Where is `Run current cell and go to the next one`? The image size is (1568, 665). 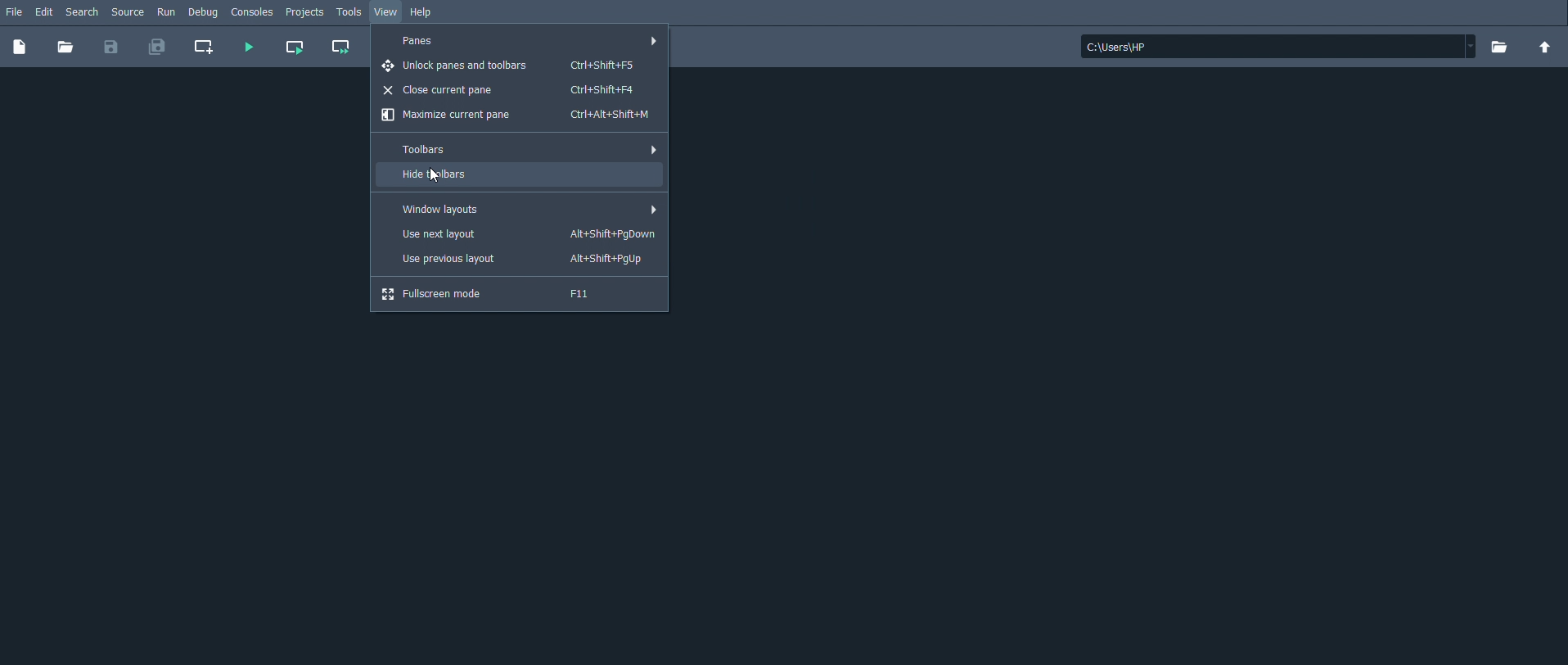
Run current cell and go to the next one is located at coordinates (340, 45).